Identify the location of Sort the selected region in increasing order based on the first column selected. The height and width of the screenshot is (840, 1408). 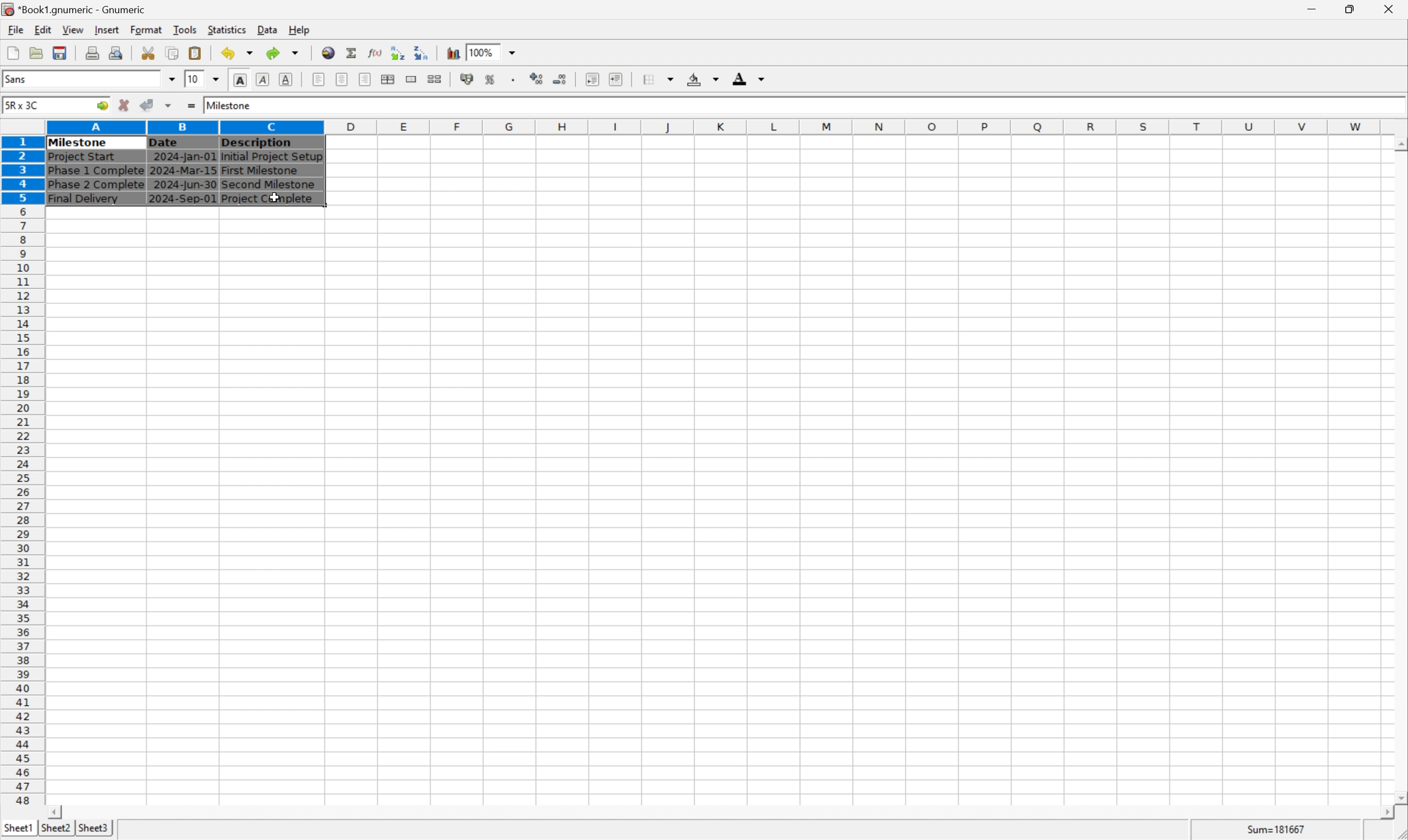
(395, 53).